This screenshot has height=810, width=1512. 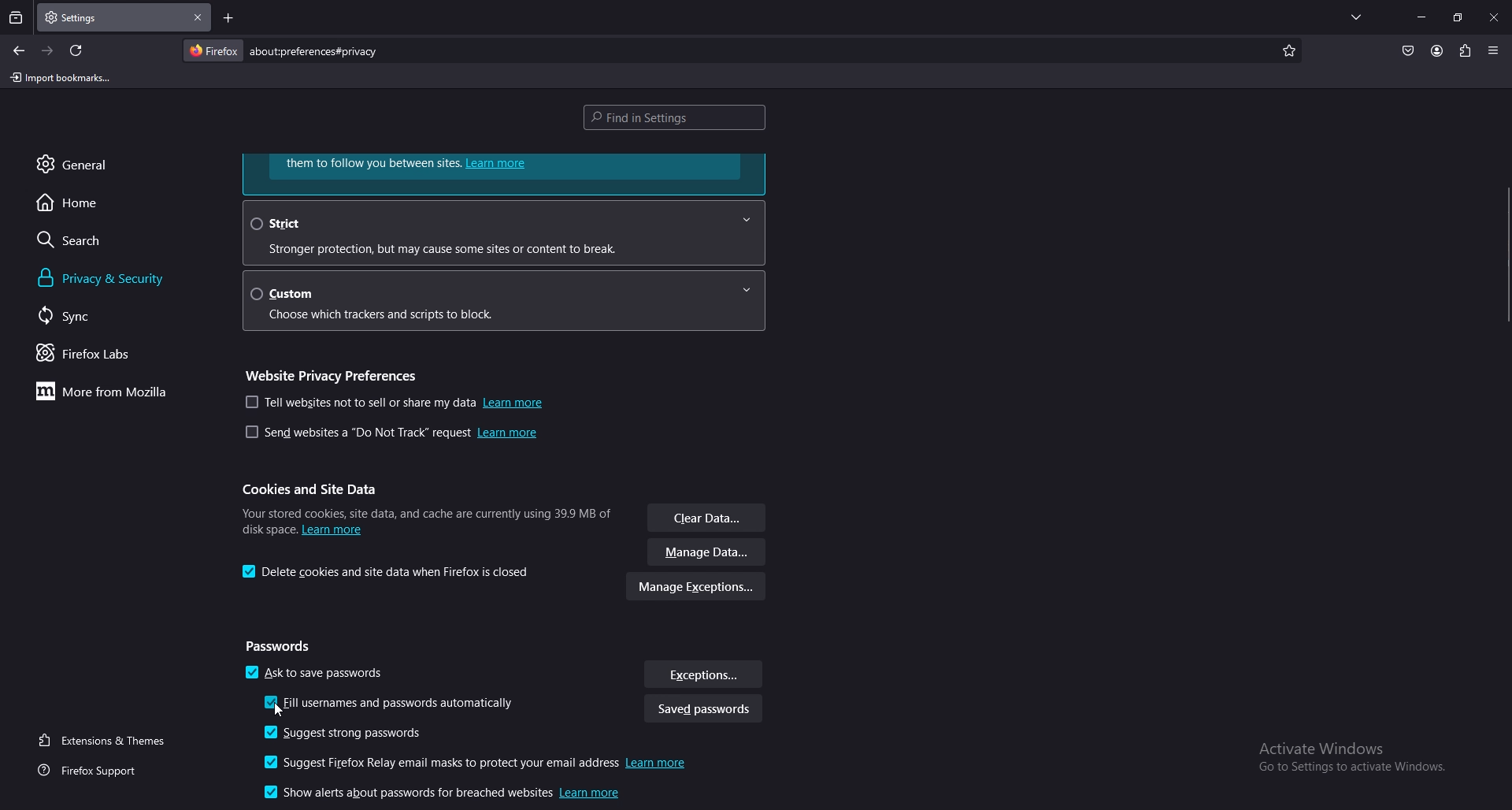 What do you see at coordinates (49, 51) in the screenshot?
I see `forward` at bounding box center [49, 51].